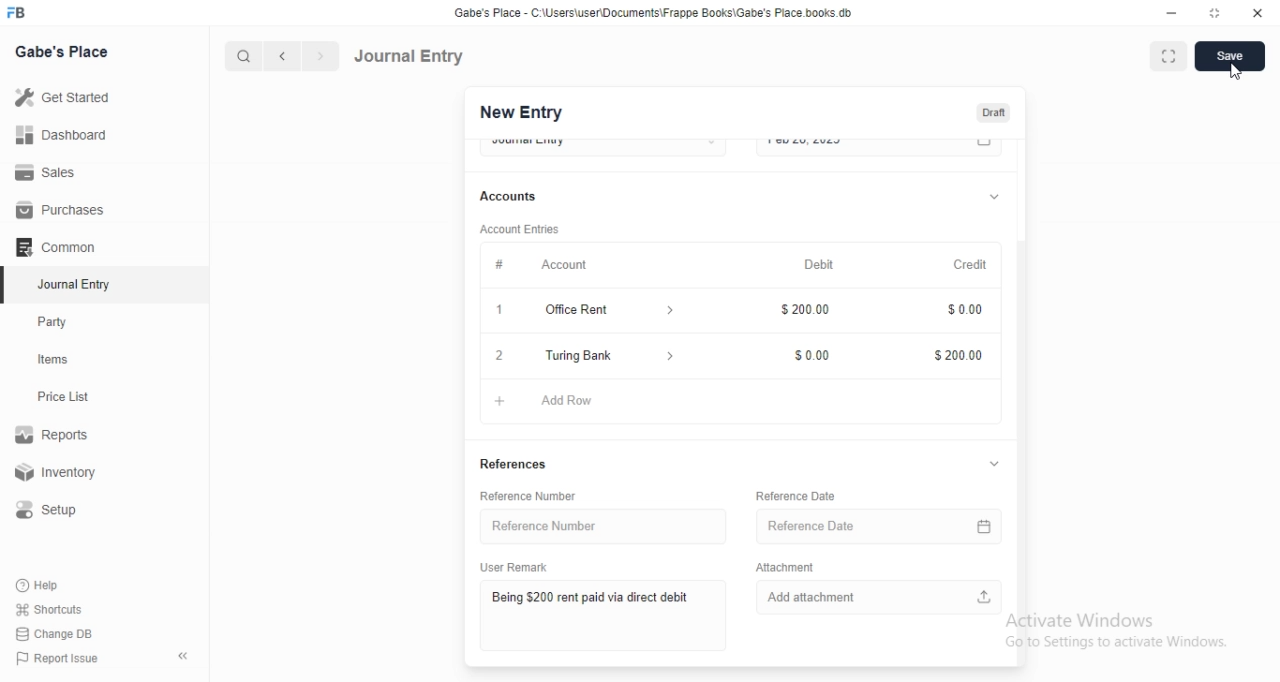  Describe the element at coordinates (41, 585) in the screenshot. I see `Help` at that location.